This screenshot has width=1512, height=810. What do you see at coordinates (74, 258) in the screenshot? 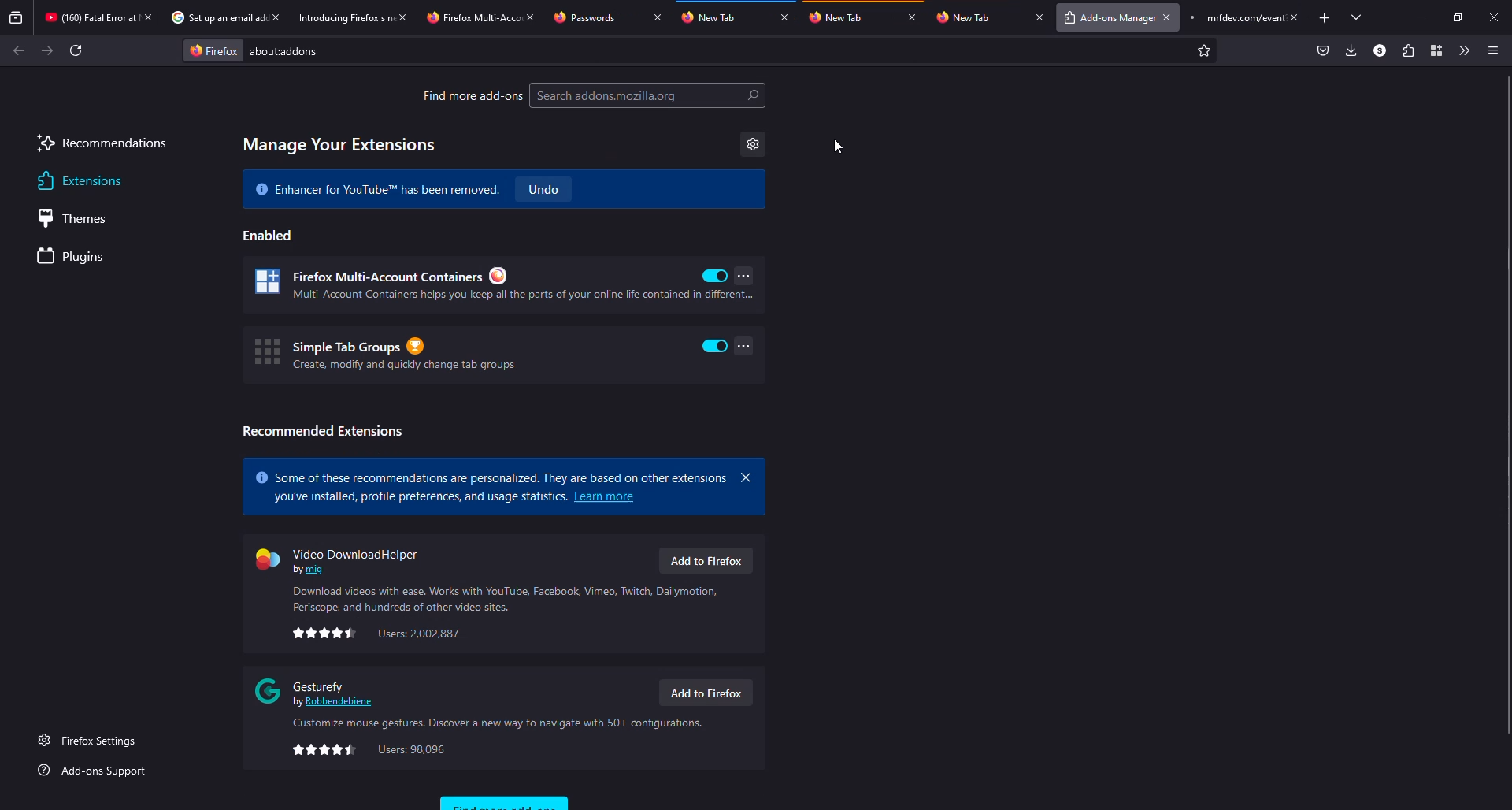
I see `plugins` at bounding box center [74, 258].